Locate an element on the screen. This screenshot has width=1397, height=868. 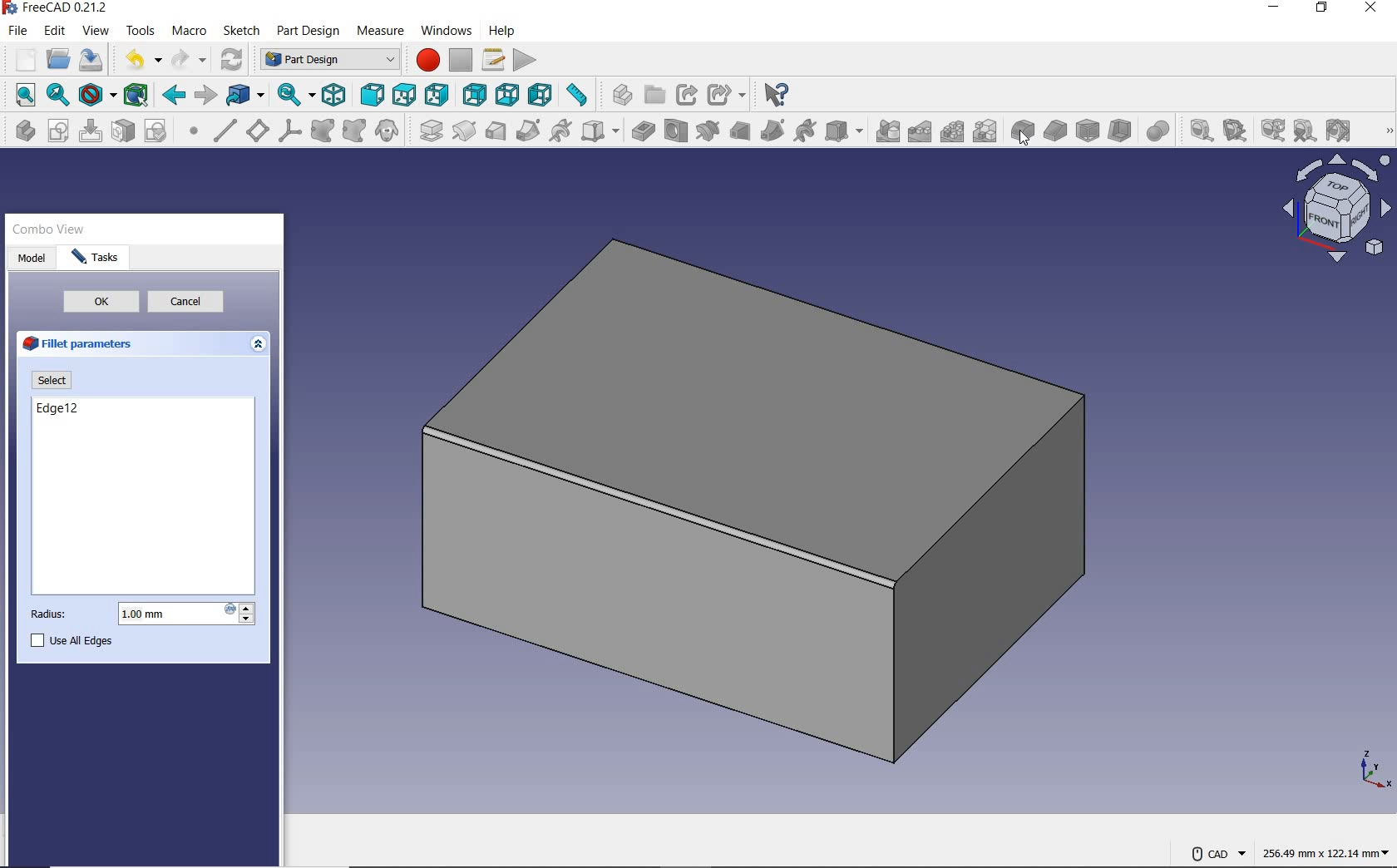
make link is located at coordinates (686, 96).